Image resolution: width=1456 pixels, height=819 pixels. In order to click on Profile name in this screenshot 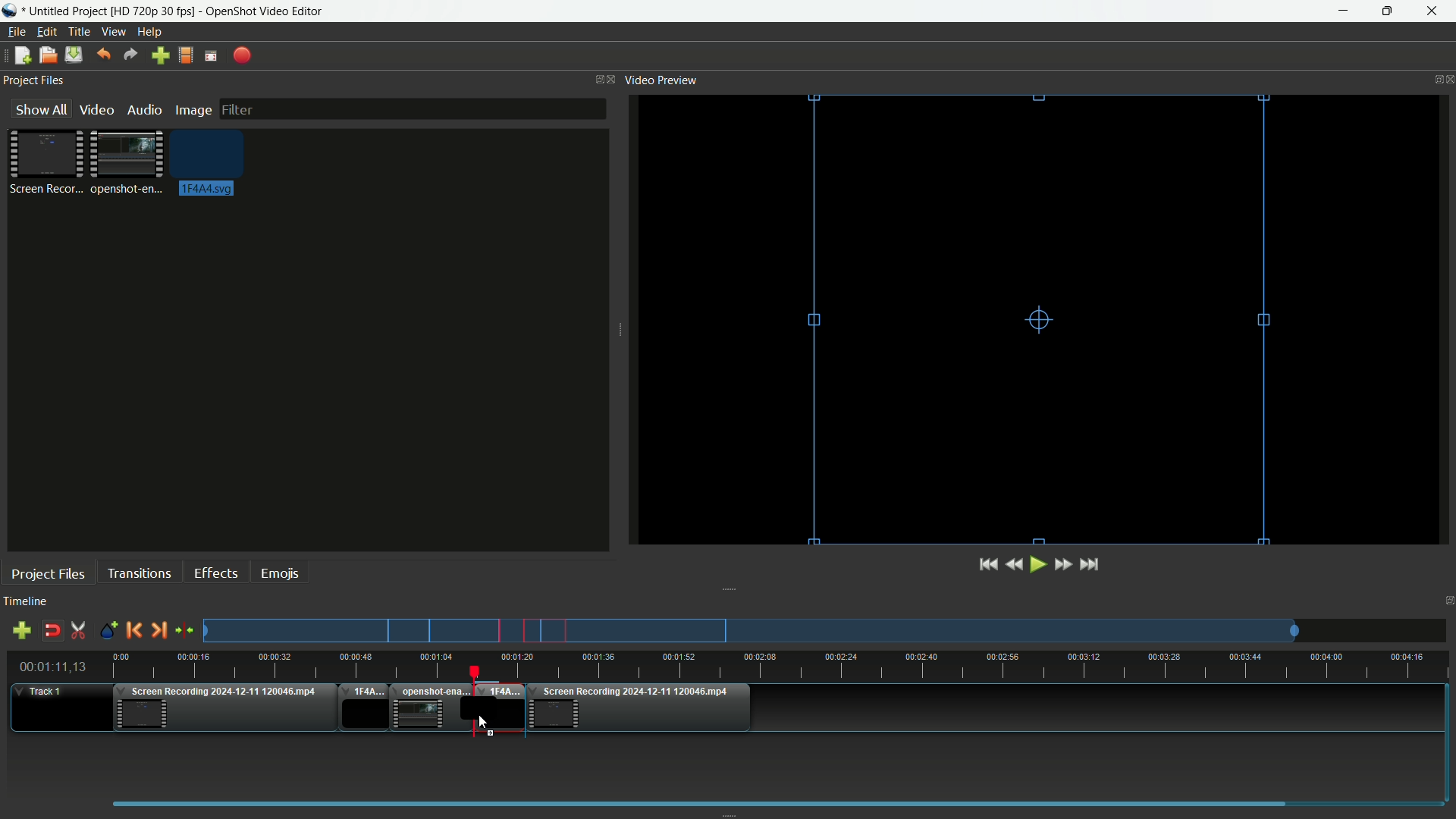, I will do `click(154, 12)`.